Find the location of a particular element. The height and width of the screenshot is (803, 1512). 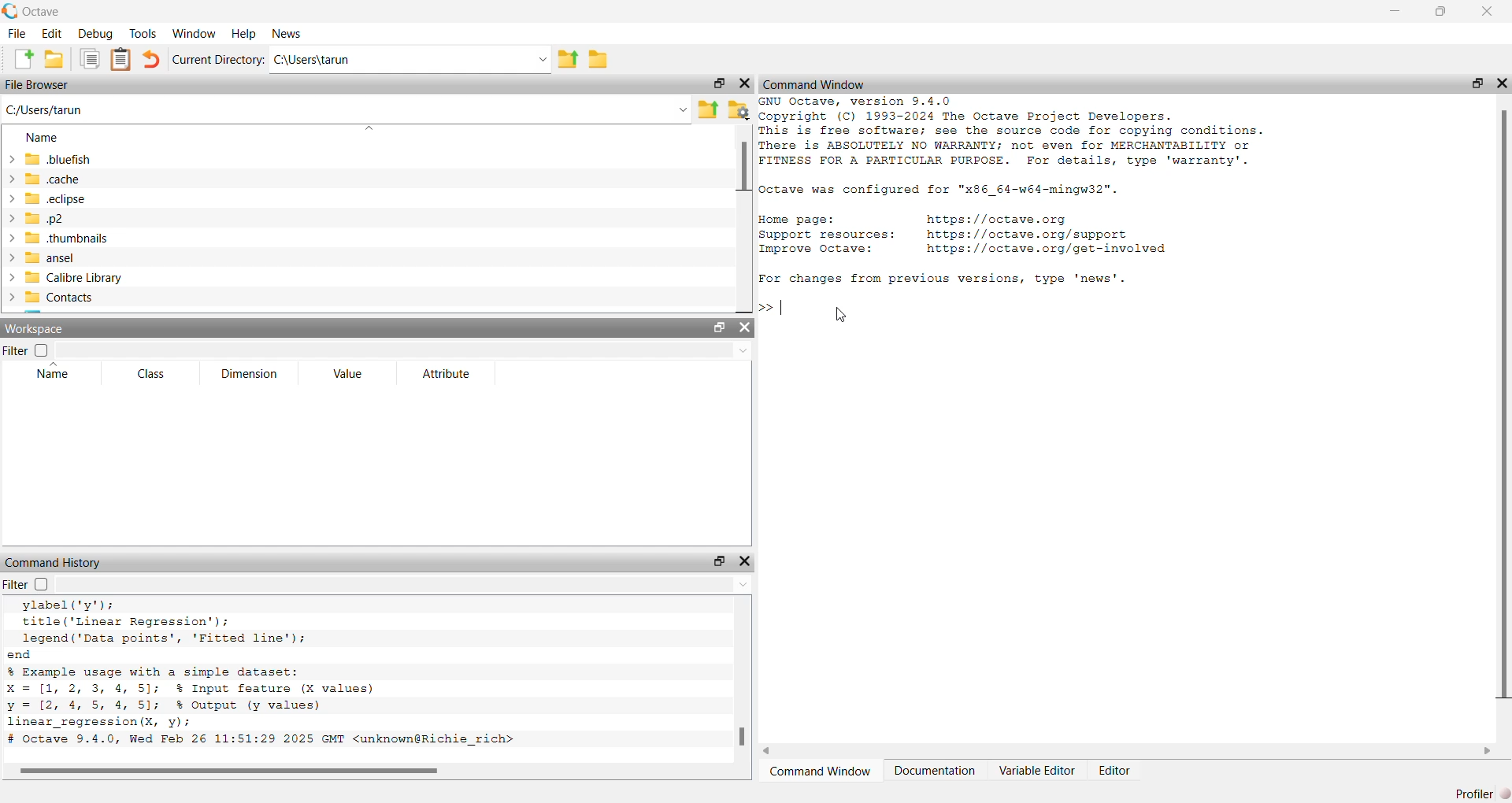

| For changes from previous versions, type 'news'. is located at coordinates (944, 277).